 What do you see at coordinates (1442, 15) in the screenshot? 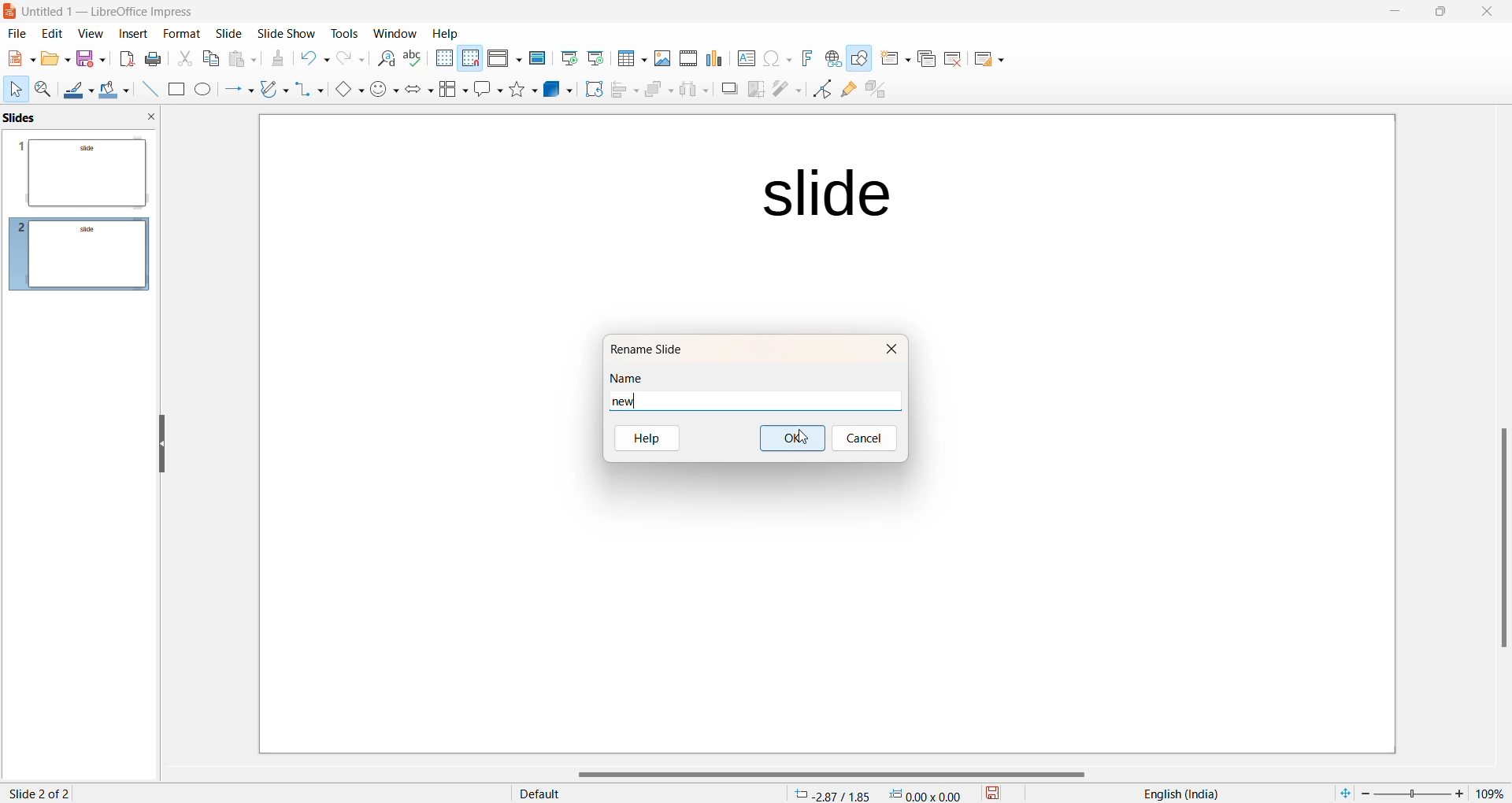
I see `maximize` at bounding box center [1442, 15].